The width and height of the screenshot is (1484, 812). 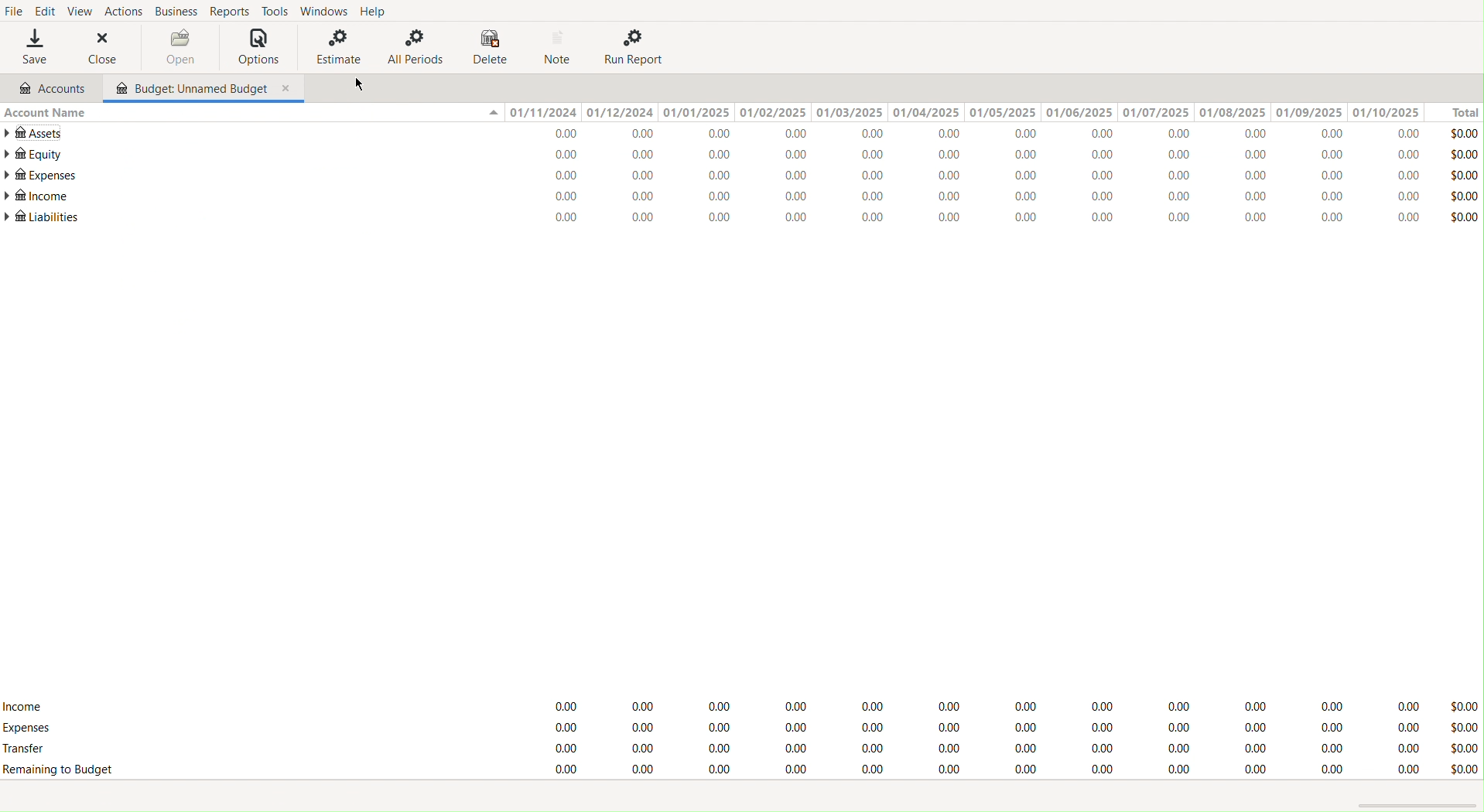 What do you see at coordinates (1460, 111) in the screenshot?
I see `Total` at bounding box center [1460, 111].